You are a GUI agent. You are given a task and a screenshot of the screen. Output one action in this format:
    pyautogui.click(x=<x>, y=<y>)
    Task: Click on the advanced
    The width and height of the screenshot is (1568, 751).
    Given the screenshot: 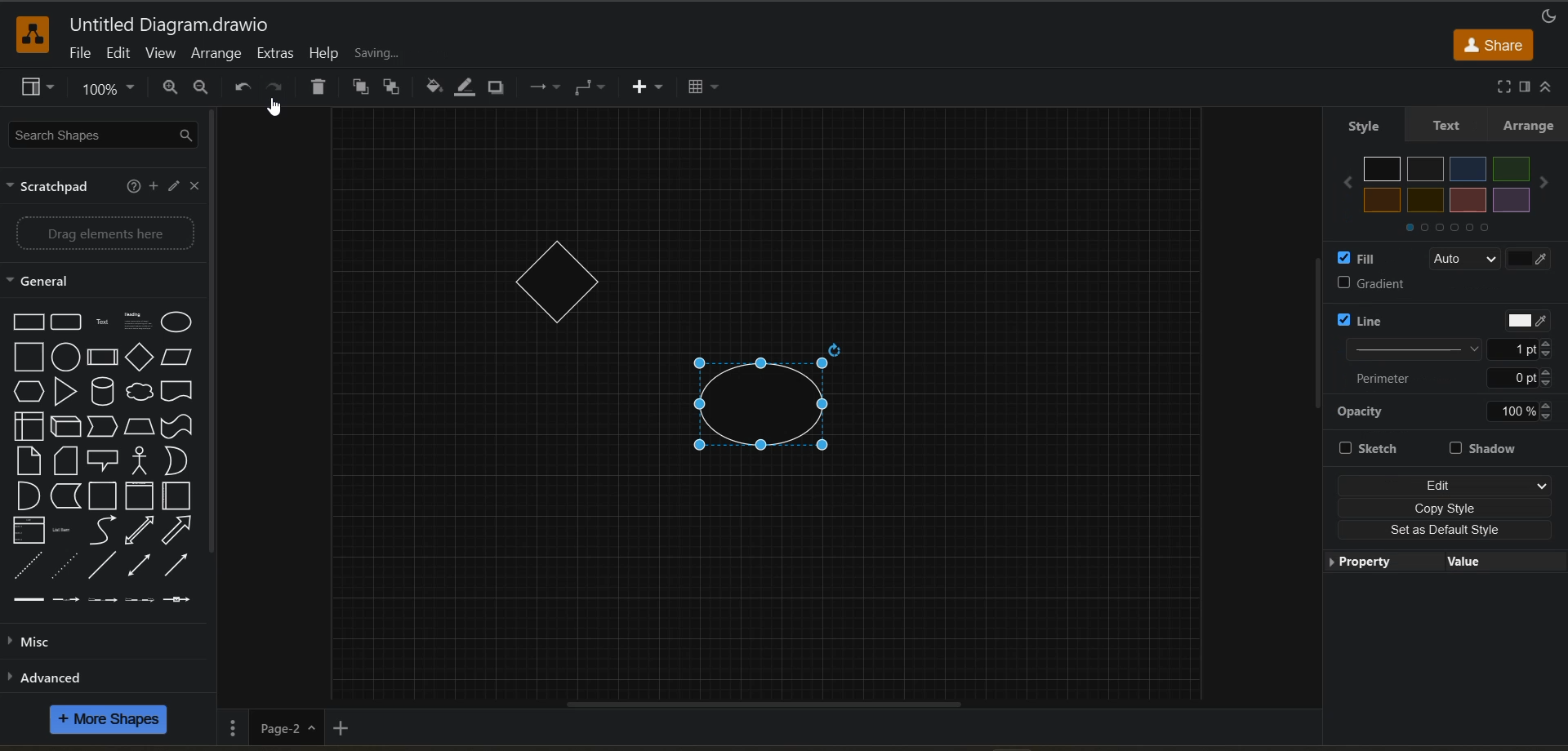 What is the action you would take?
    pyautogui.click(x=51, y=675)
    